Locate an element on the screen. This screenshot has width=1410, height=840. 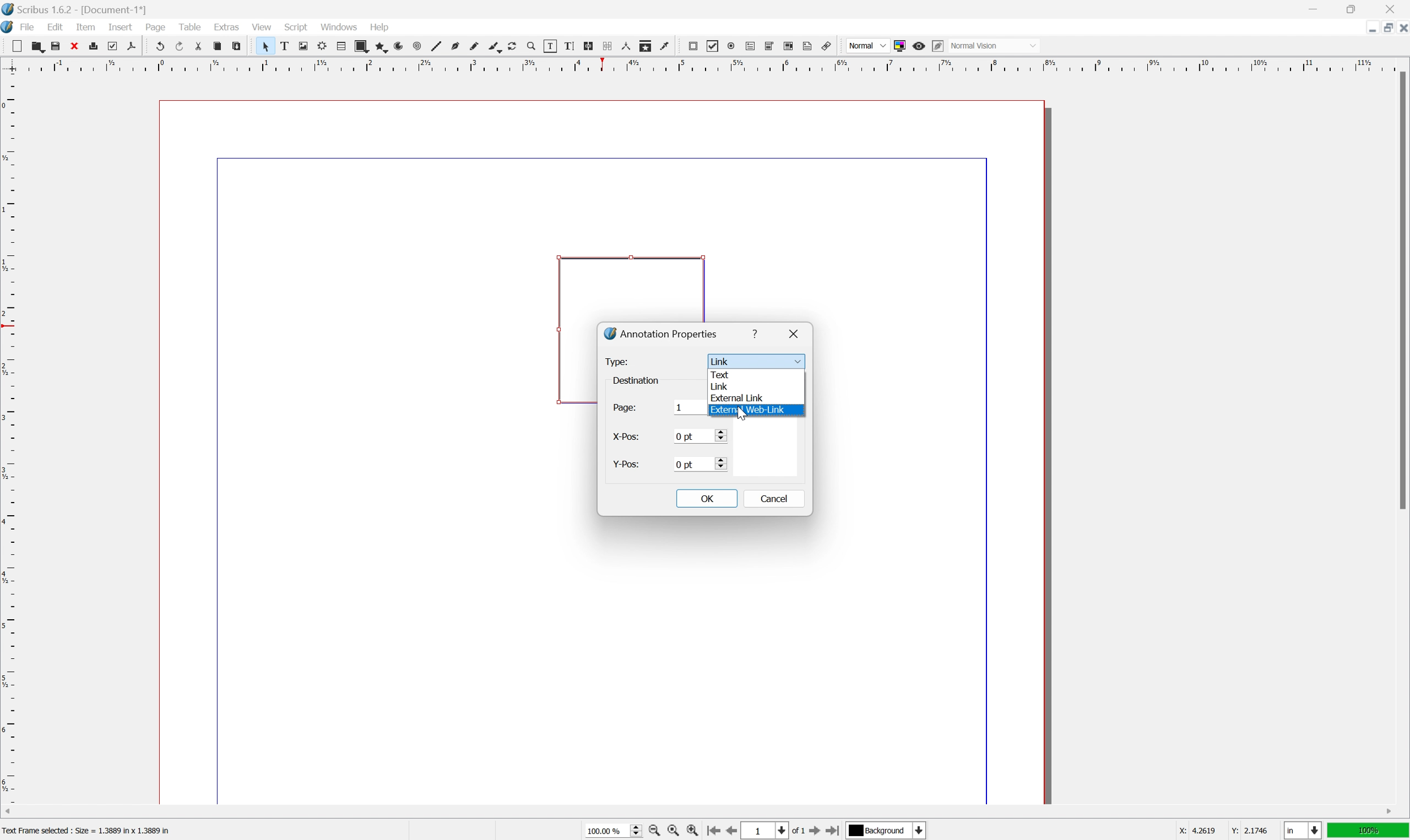
copy is located at coordinates (217, 46).